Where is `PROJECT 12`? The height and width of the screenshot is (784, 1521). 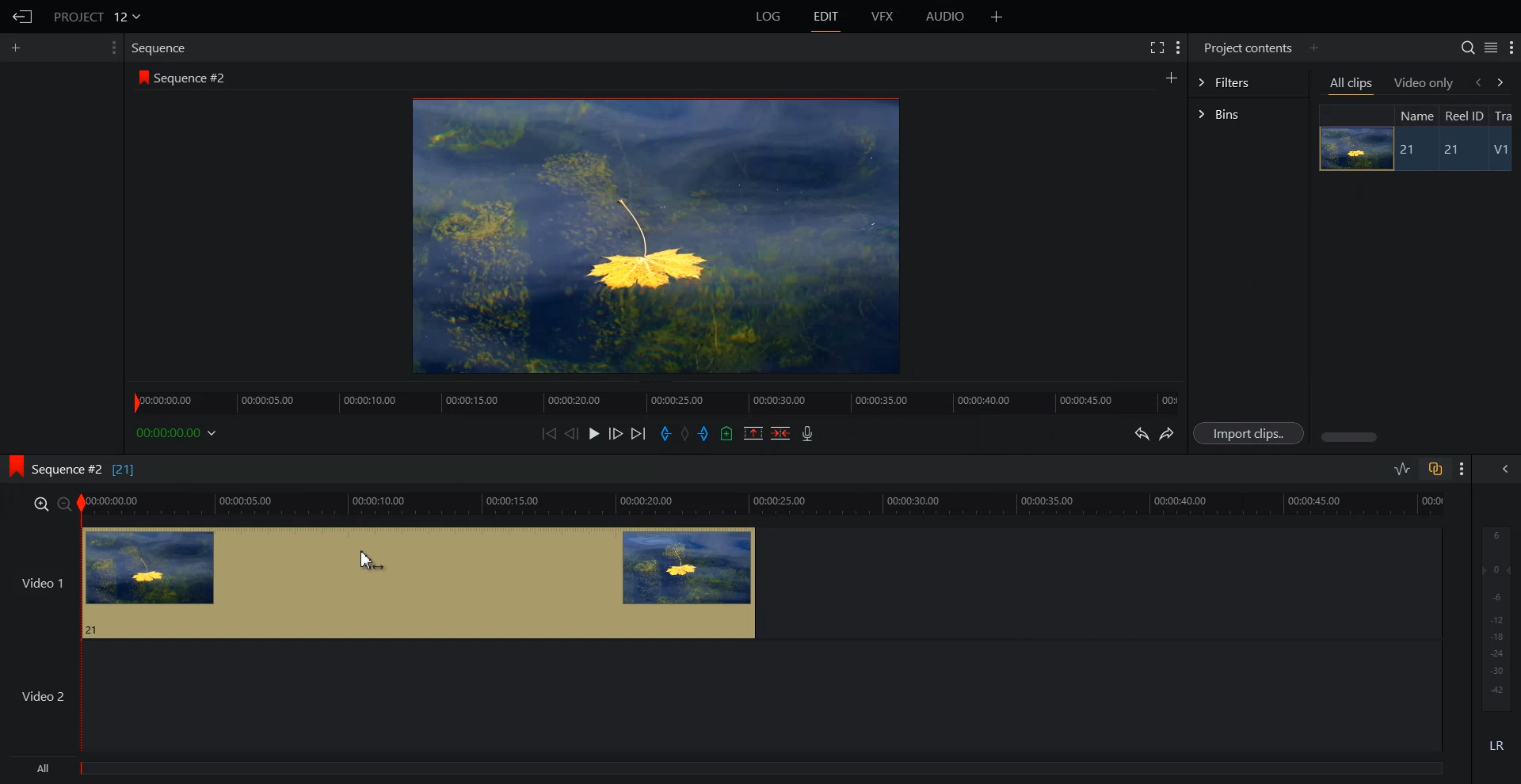 PROJECT 12 is located at coordinates (97, 16).